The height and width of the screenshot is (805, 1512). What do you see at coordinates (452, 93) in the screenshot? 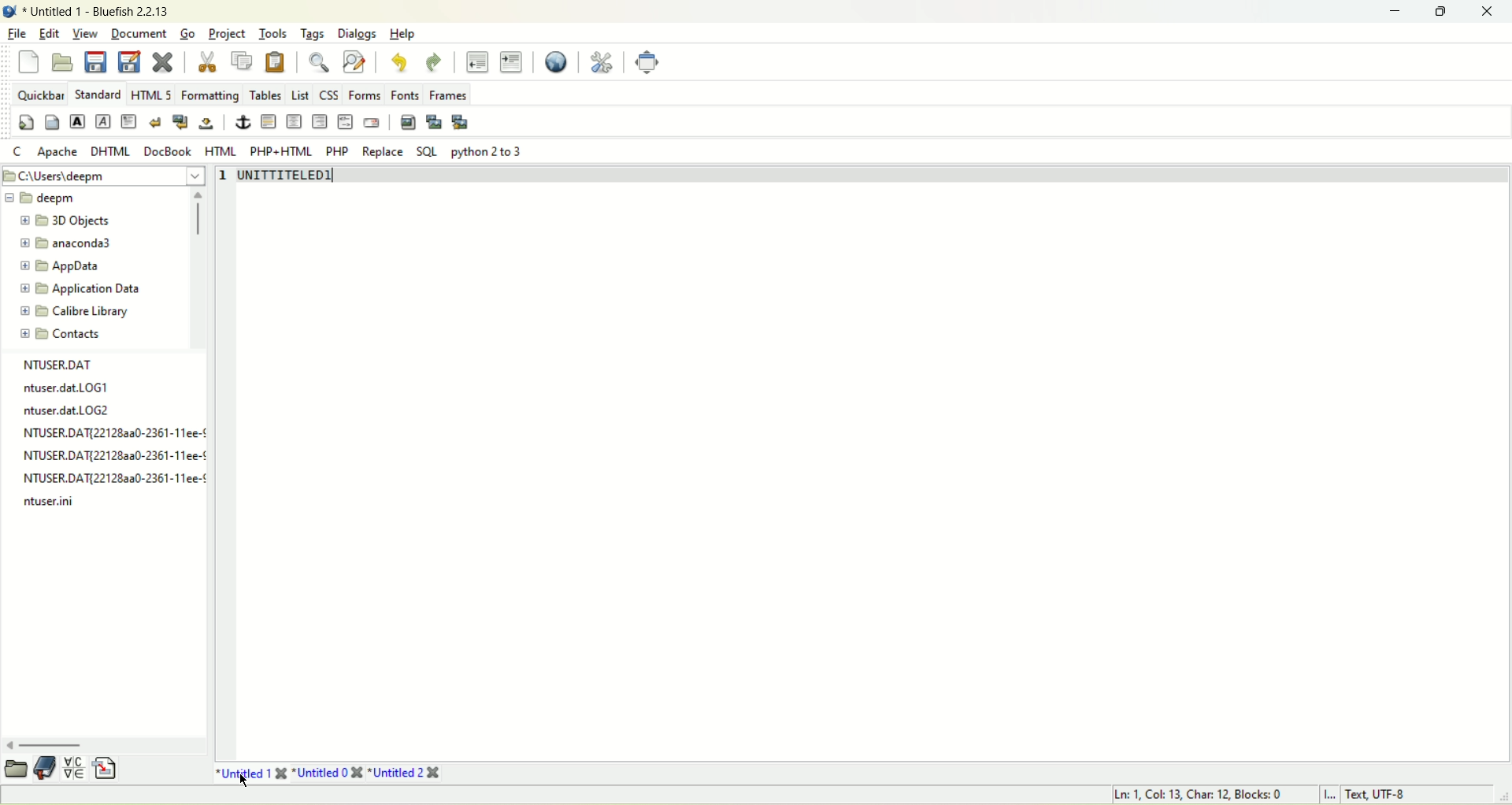
I see `Frames` at bounding box center [452, 93].